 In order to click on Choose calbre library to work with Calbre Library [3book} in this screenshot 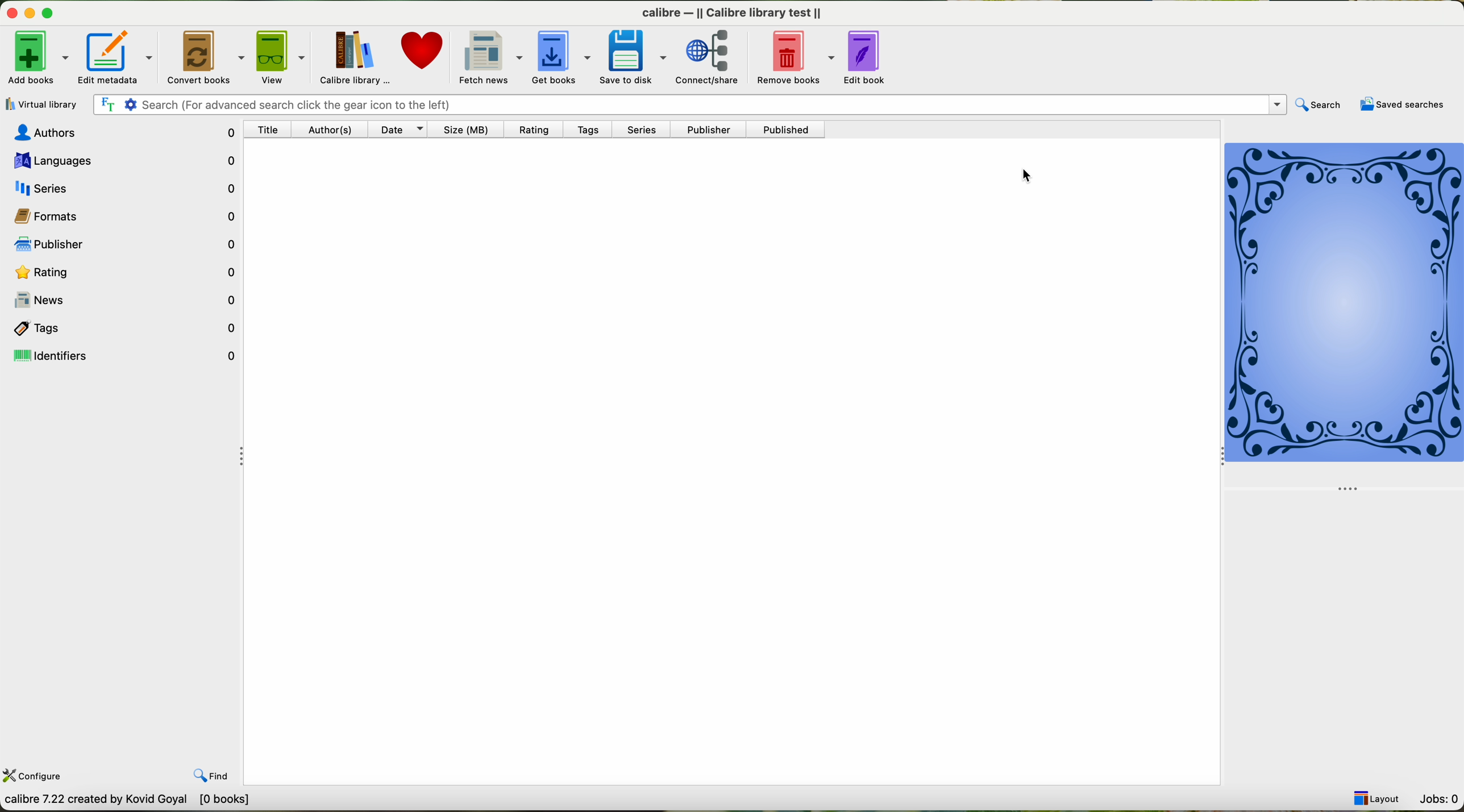, I will do `click(168, 802)`.